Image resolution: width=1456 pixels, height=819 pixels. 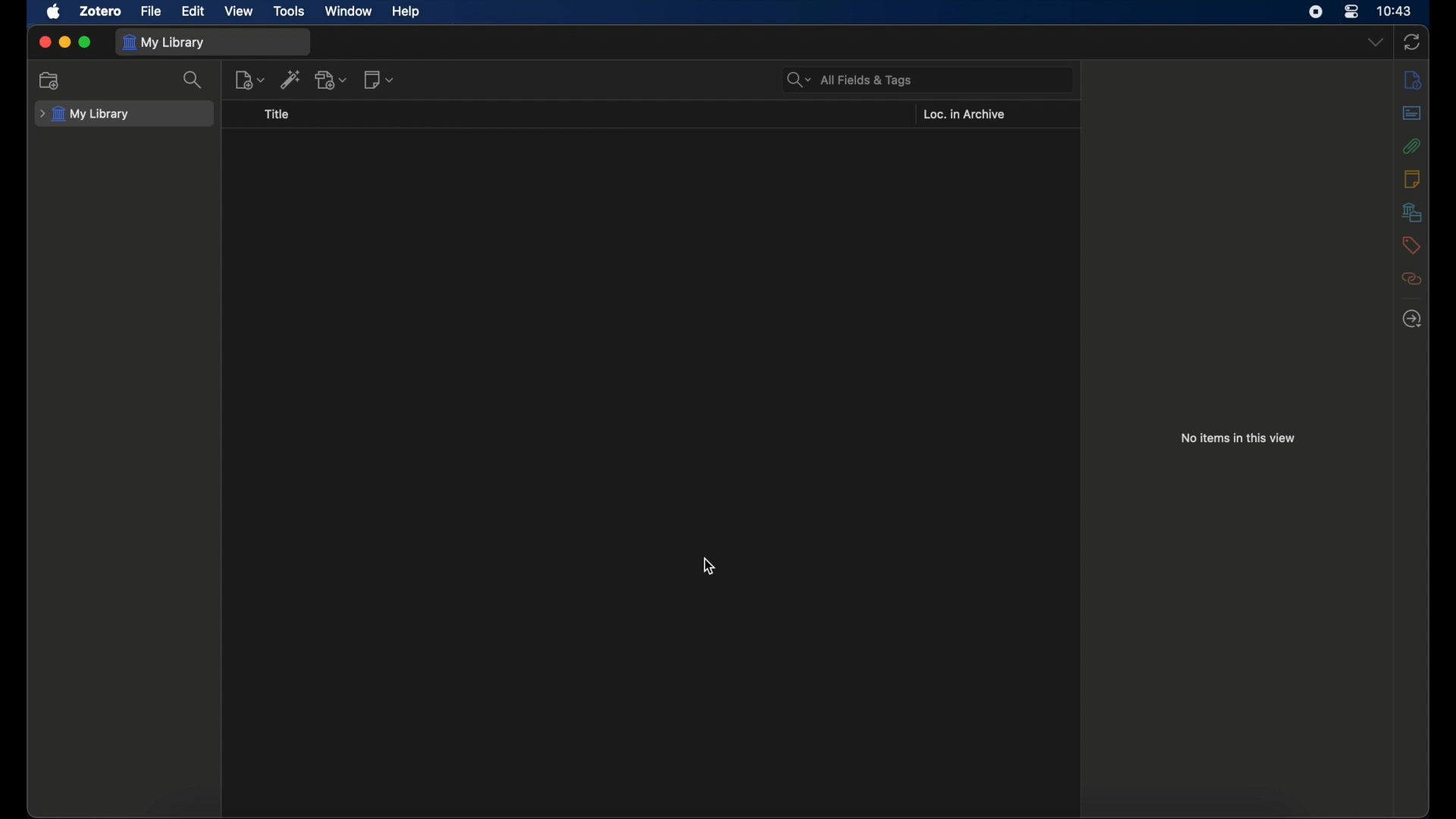 What do you see at coordinates (85, 115) in the screenshot?
I see `my library` at bounding box center [85, 115].